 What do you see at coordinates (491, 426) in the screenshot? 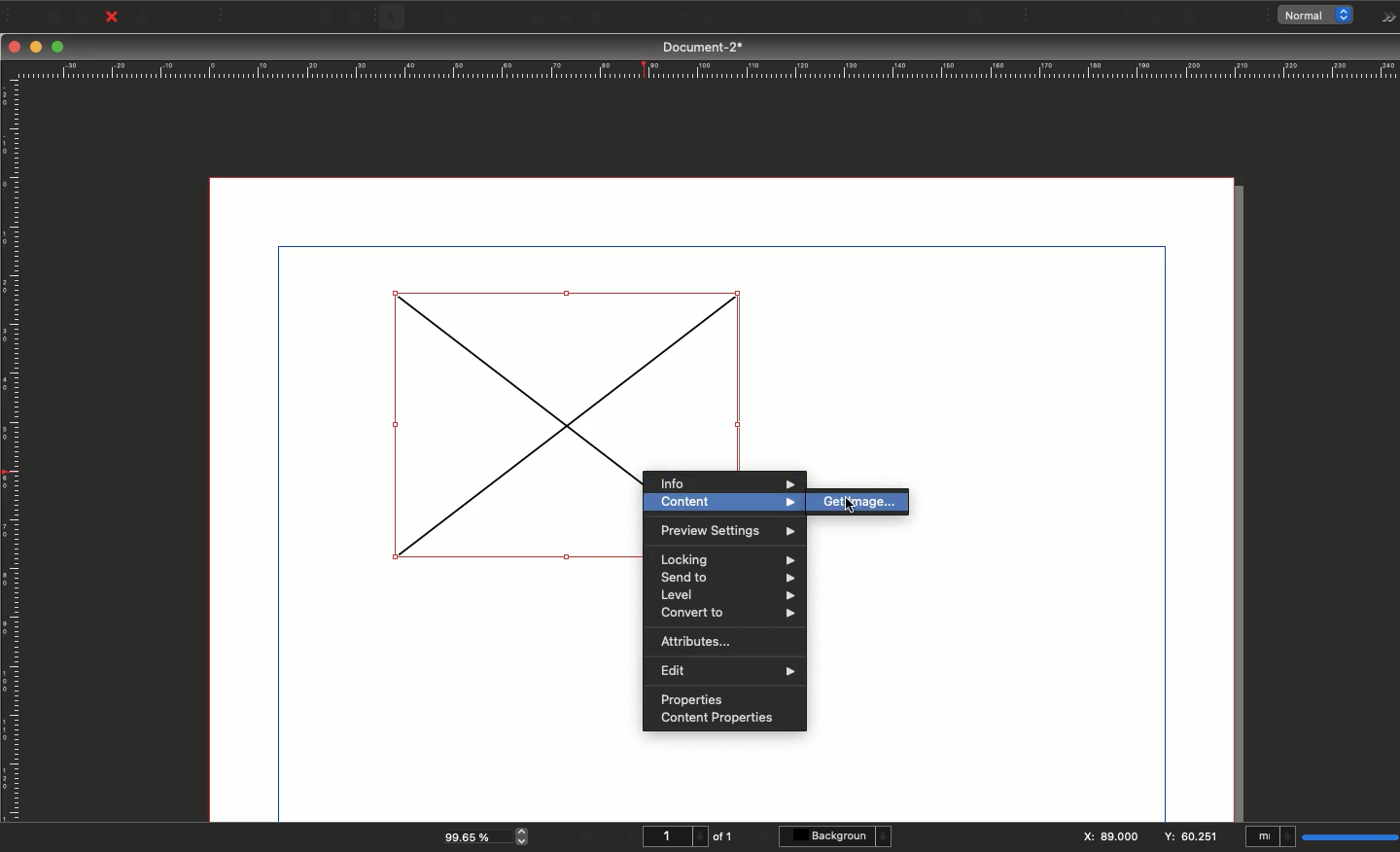
I see `Image inserter` at bounding box center [491, 426].